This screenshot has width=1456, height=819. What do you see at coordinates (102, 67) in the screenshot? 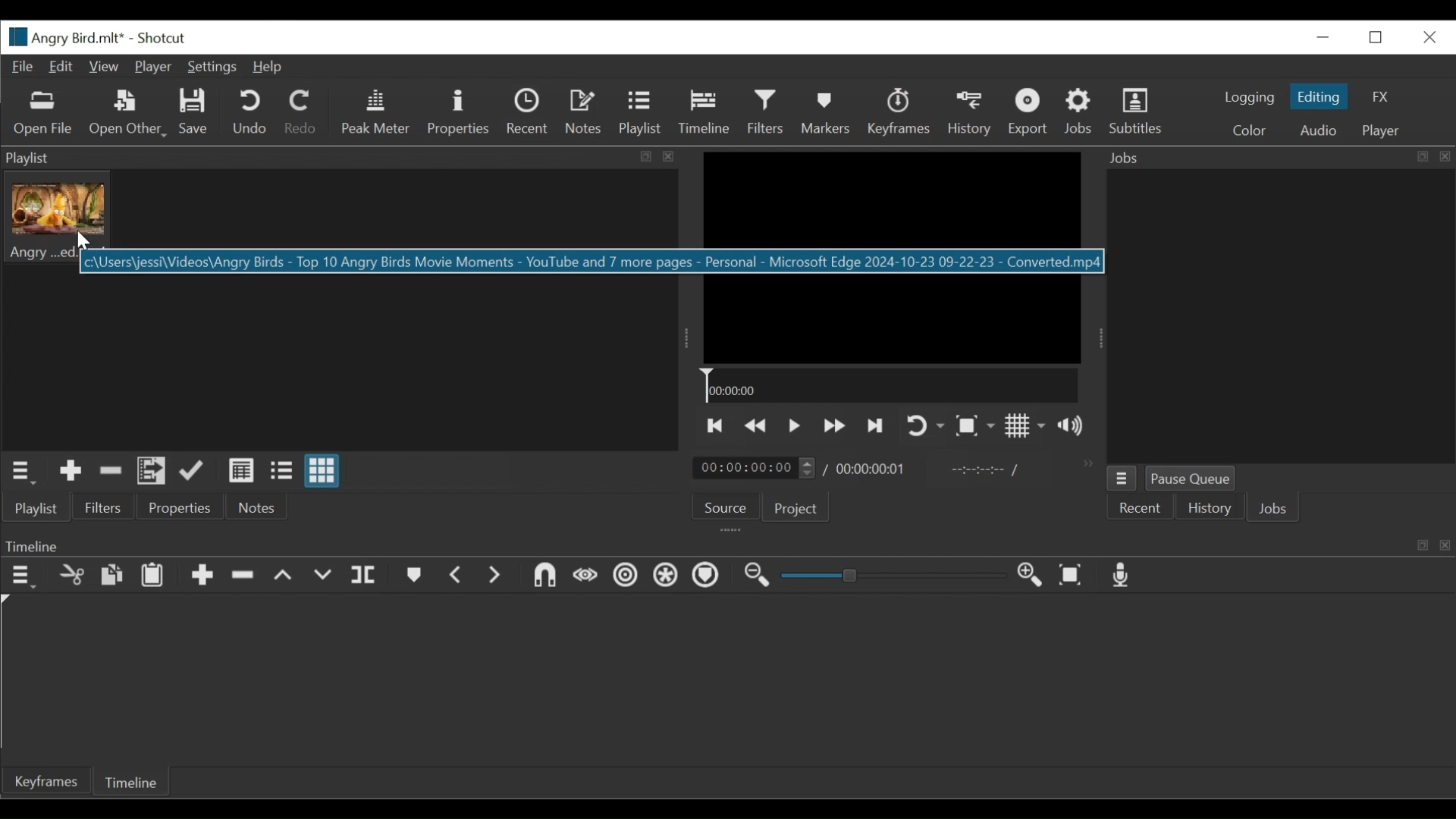
I see `View` at bounding box center [102, 67].